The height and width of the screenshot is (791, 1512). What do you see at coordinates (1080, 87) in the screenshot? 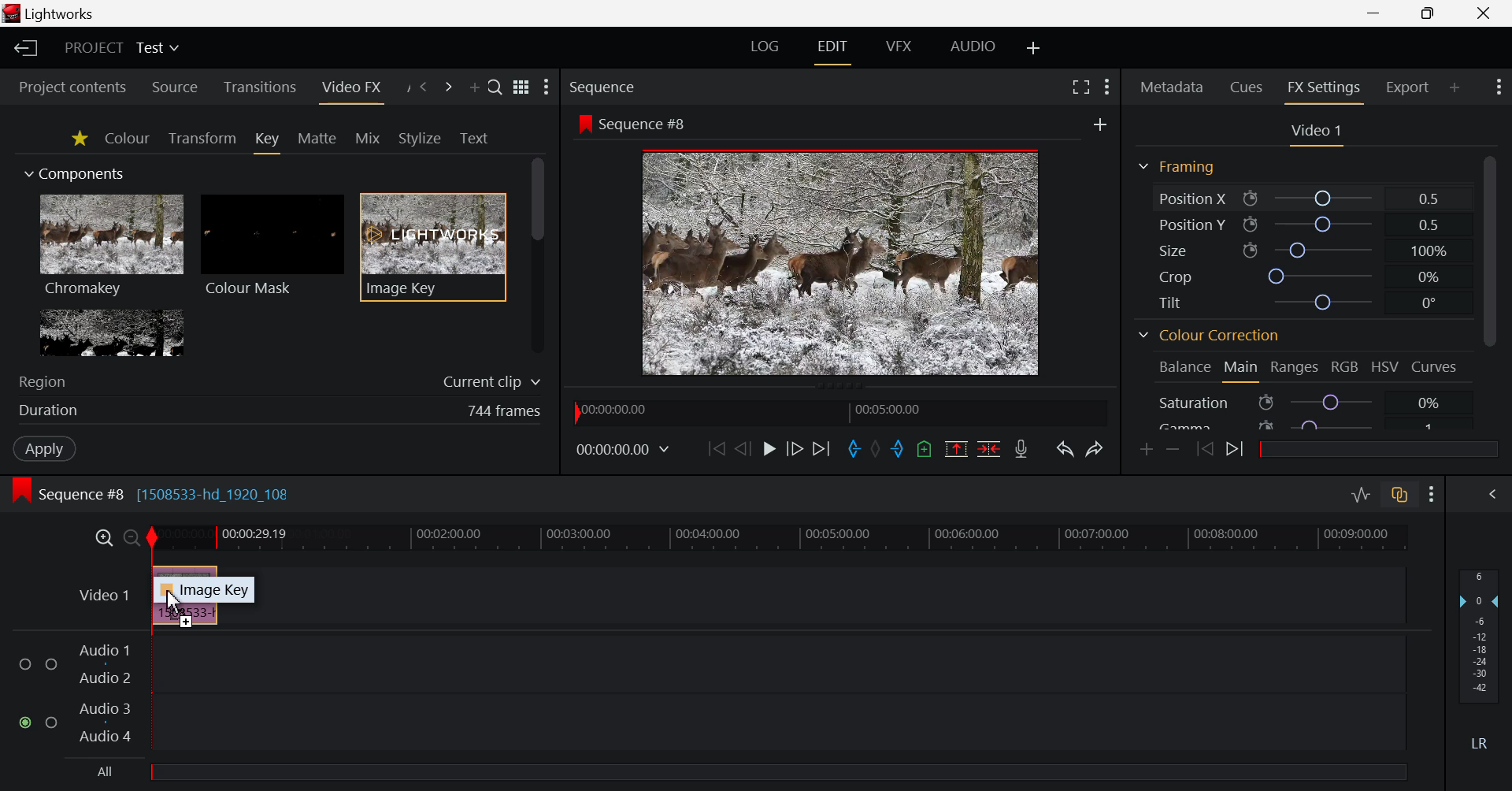
I see `Full Screen` at bounding box center [1080, 87].